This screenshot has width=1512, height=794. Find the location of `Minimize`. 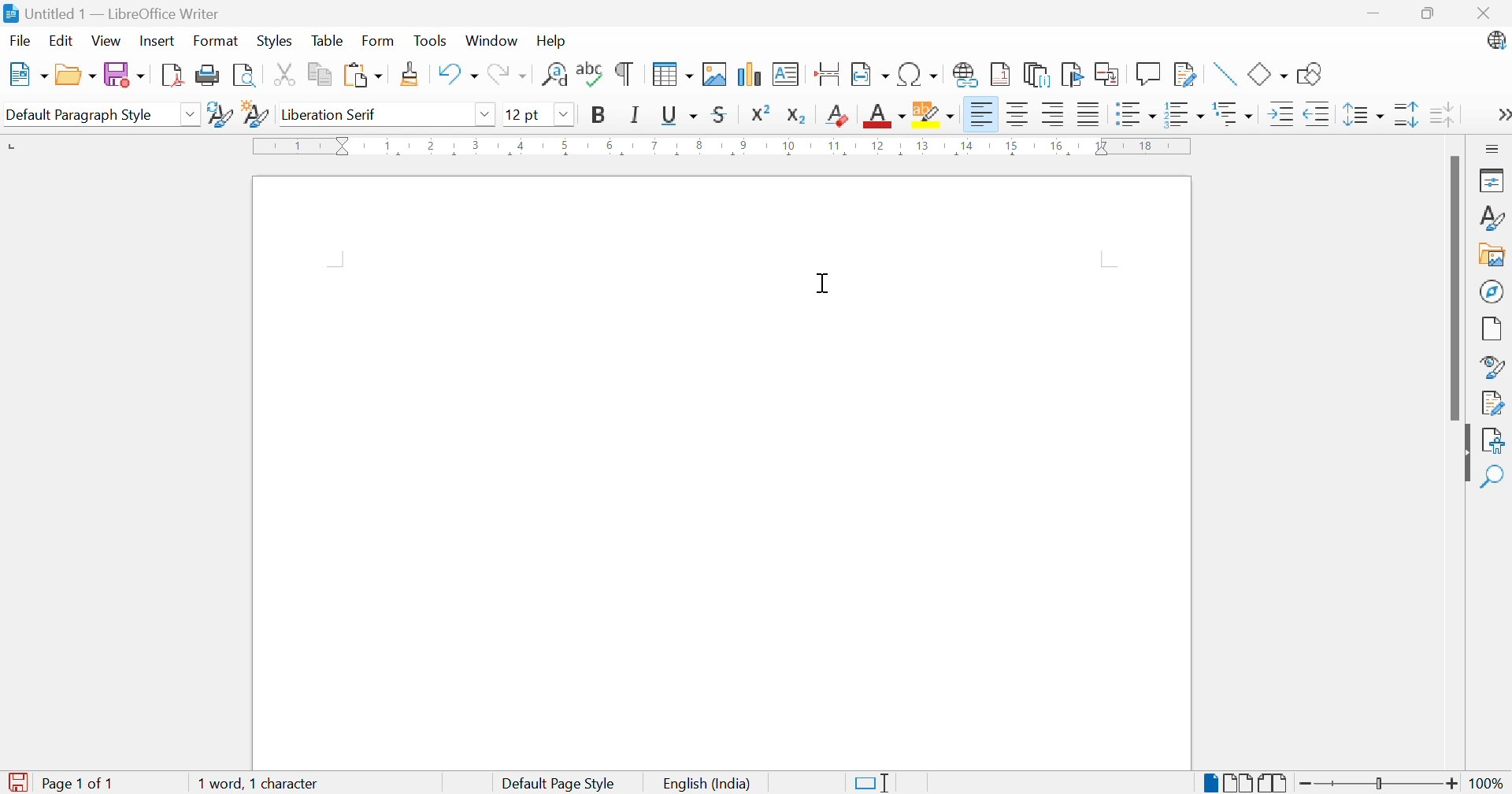

Minimize is located at coordinates (1372, 10).